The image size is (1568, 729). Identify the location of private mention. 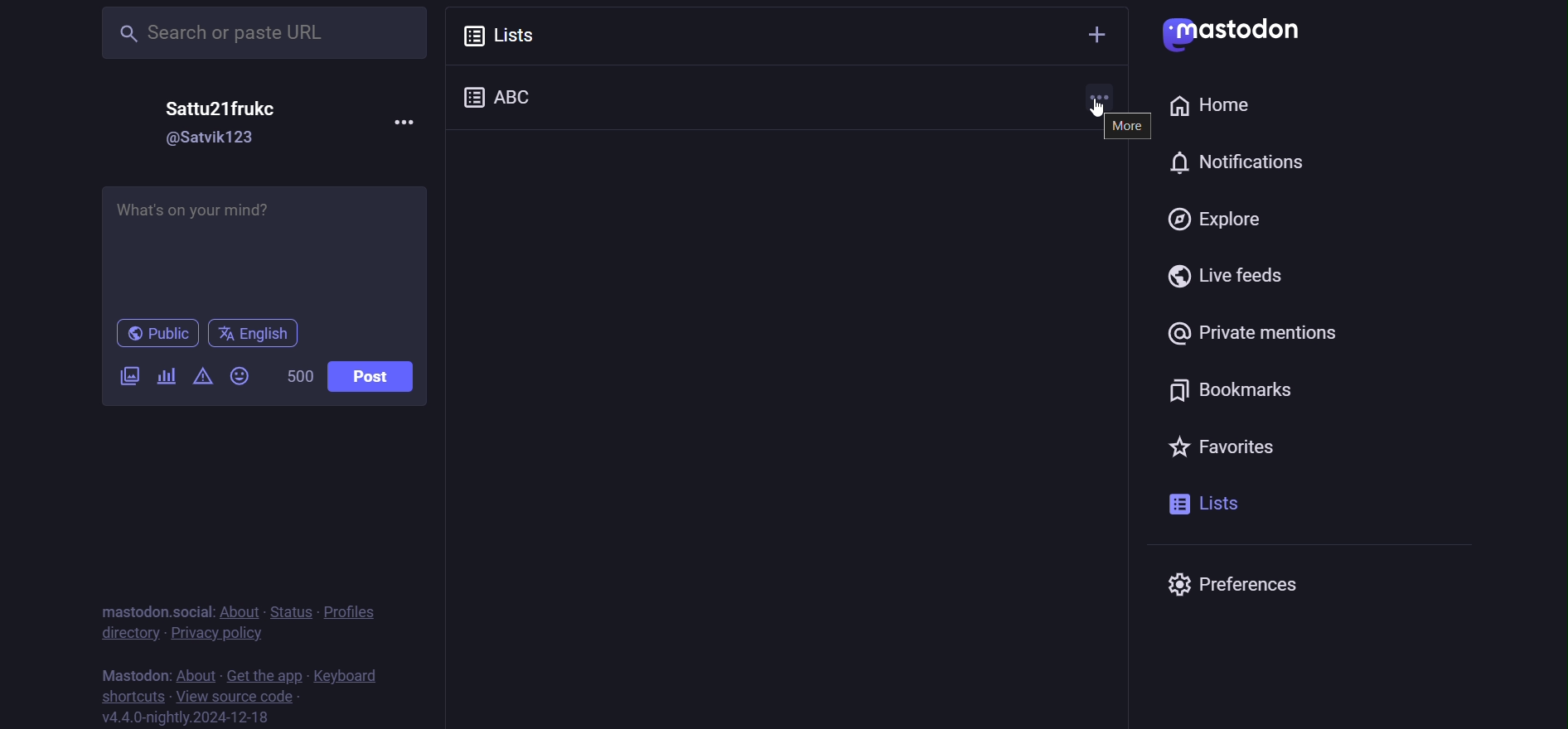
(1252, 334).